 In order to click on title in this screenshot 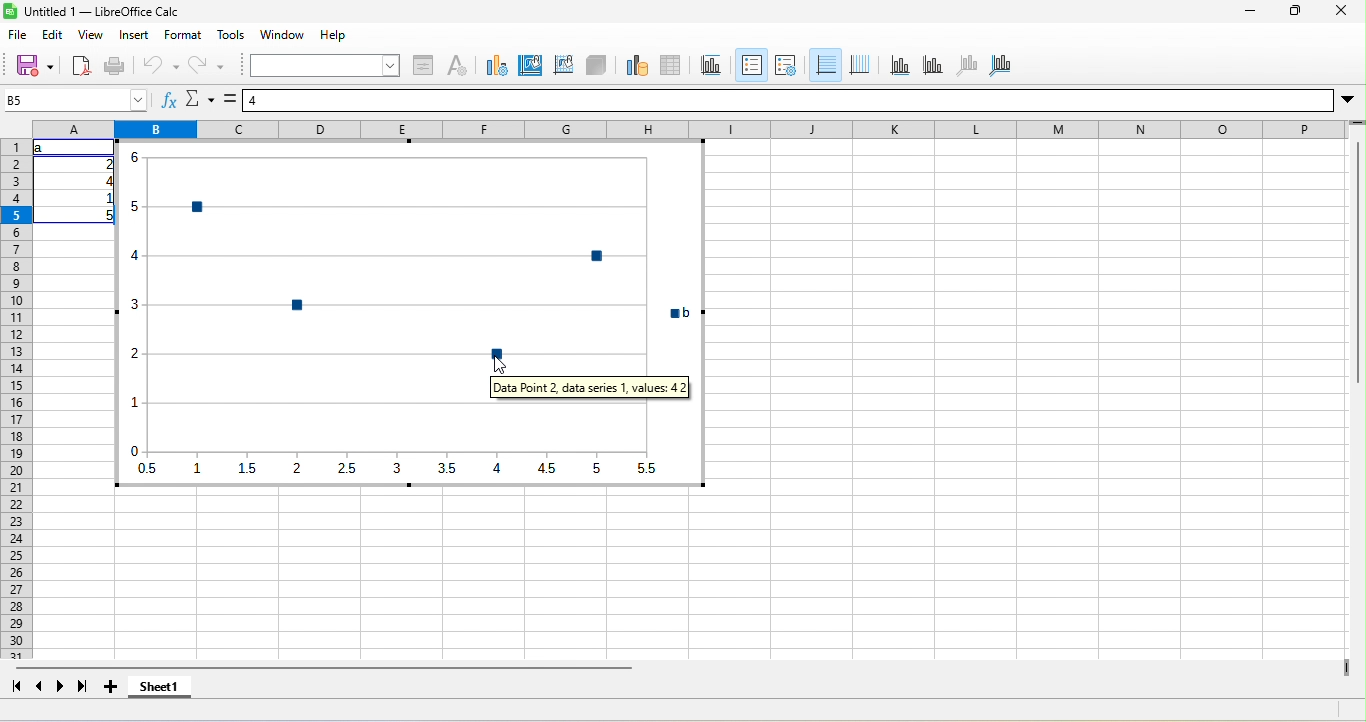, I will do `click(712, 67)`.